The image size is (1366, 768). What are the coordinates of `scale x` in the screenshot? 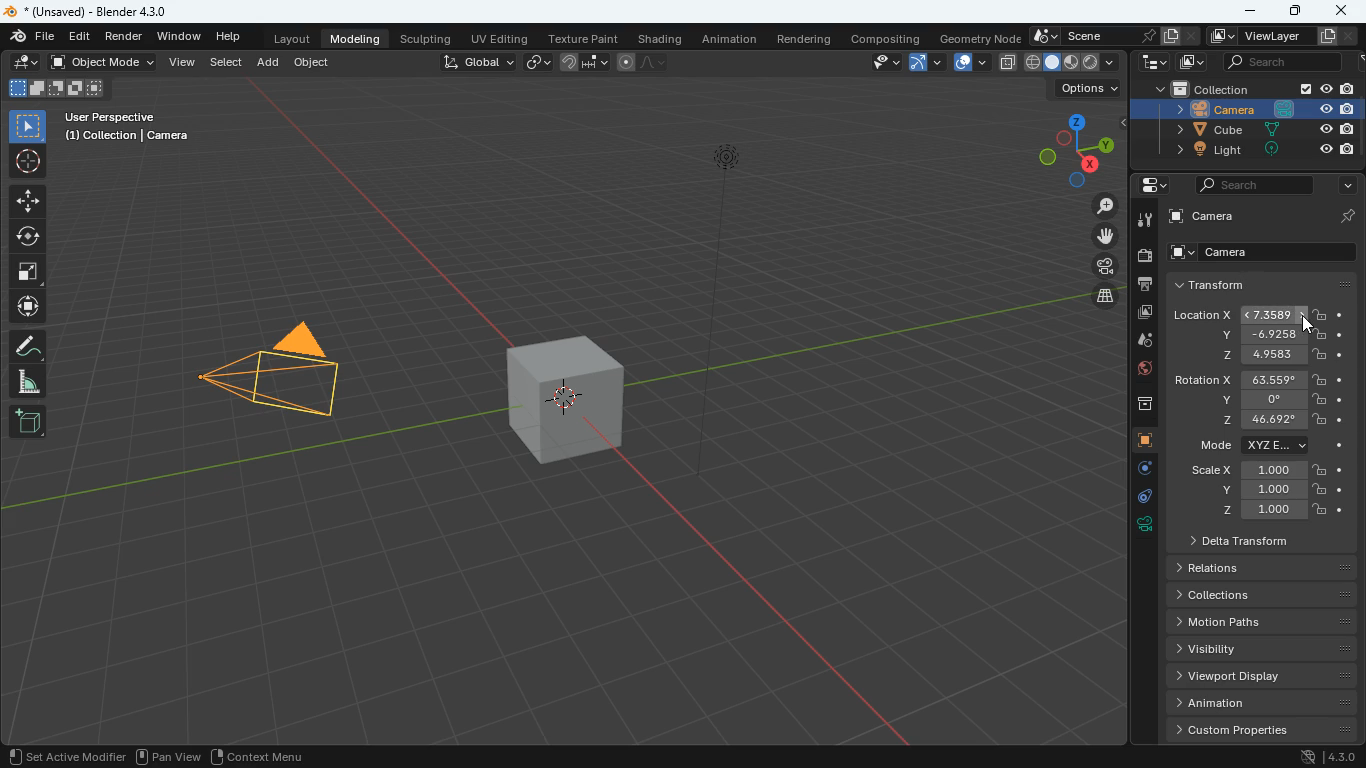 It's located at (1269, 468).